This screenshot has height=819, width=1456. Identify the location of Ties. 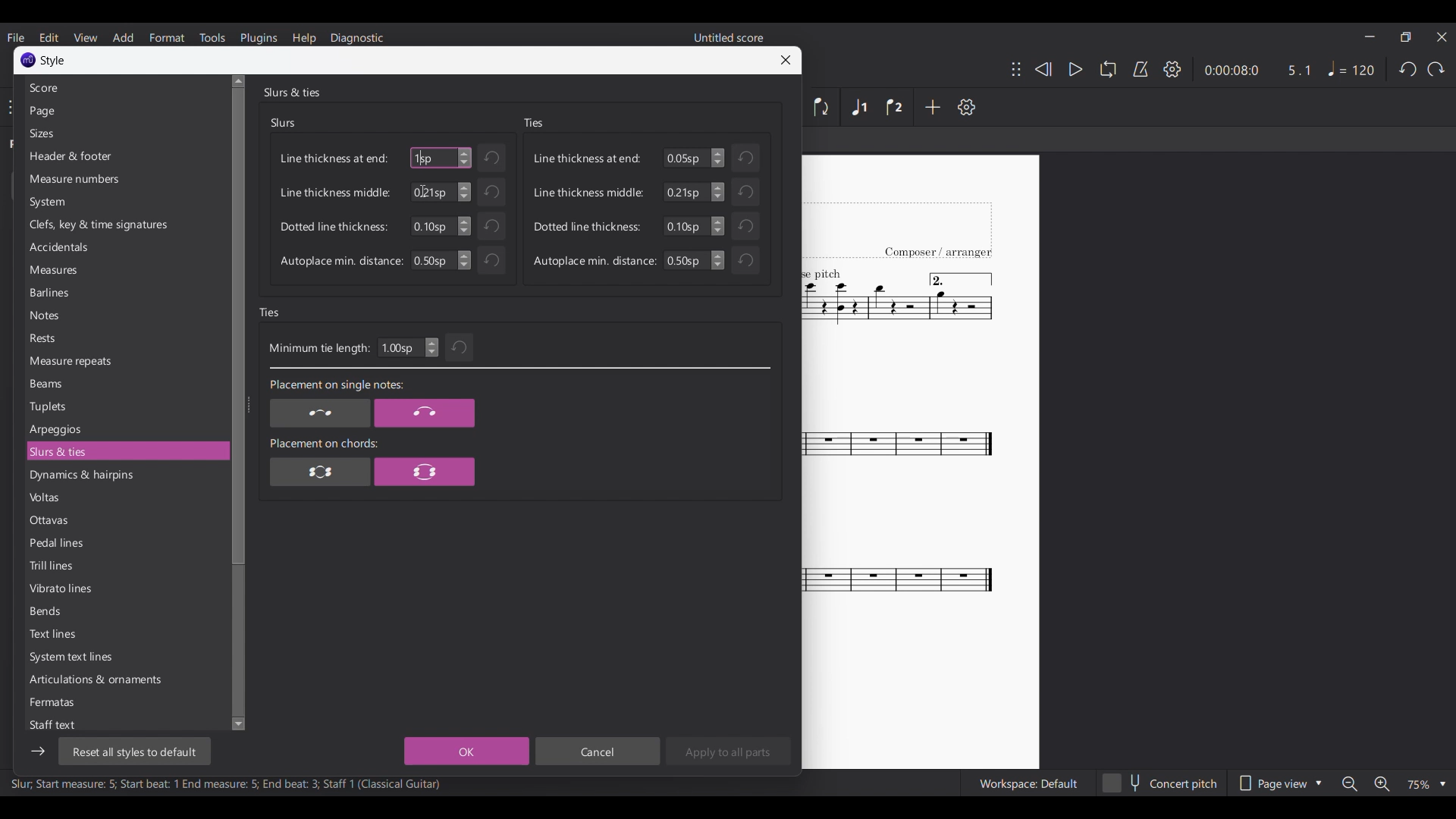
(533, 123).